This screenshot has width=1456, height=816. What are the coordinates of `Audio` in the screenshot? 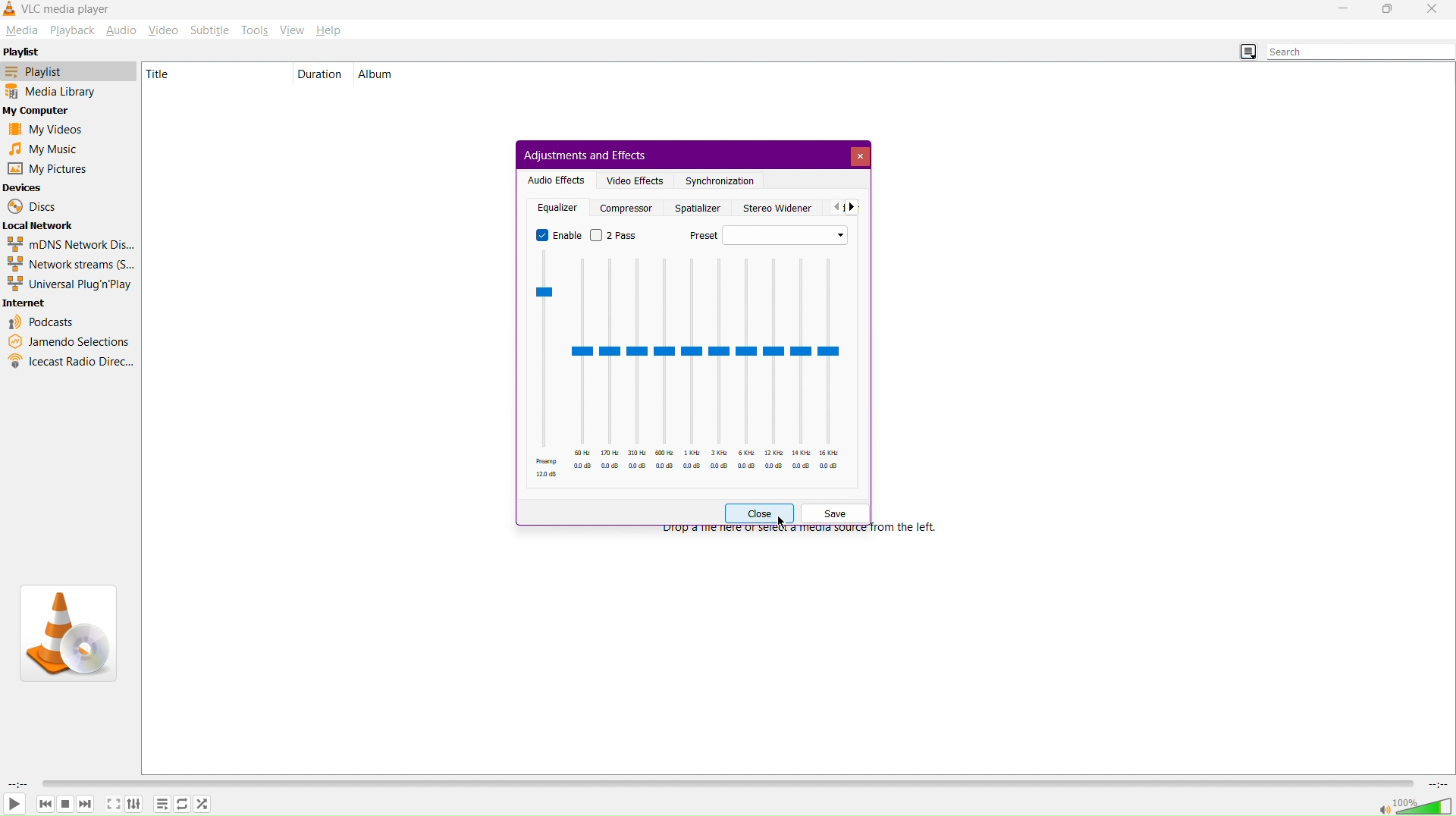 It's located at (121, 30).